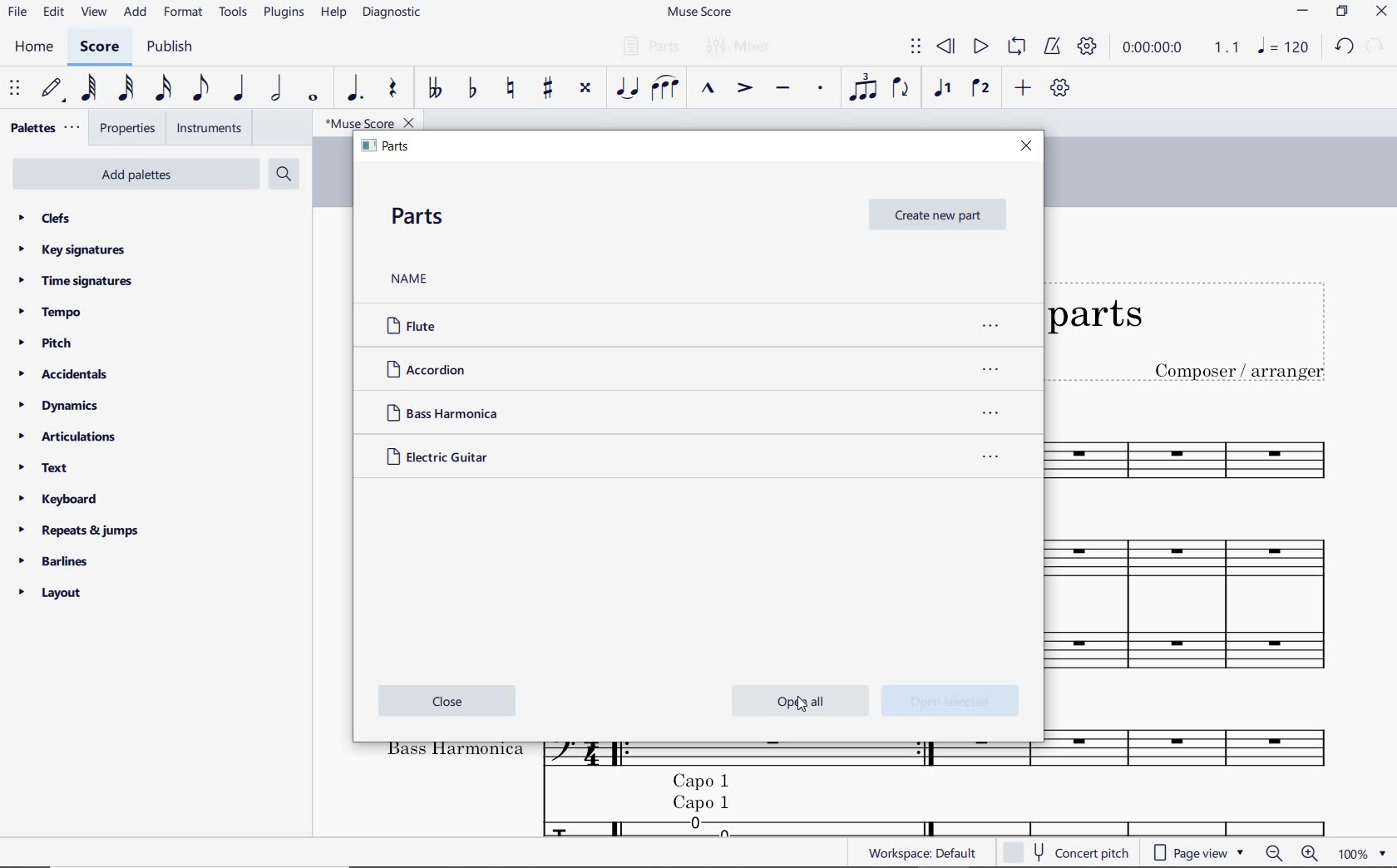 This screenshot has width=1397, height=868. I want to click on playback time, so click(1153, 49).